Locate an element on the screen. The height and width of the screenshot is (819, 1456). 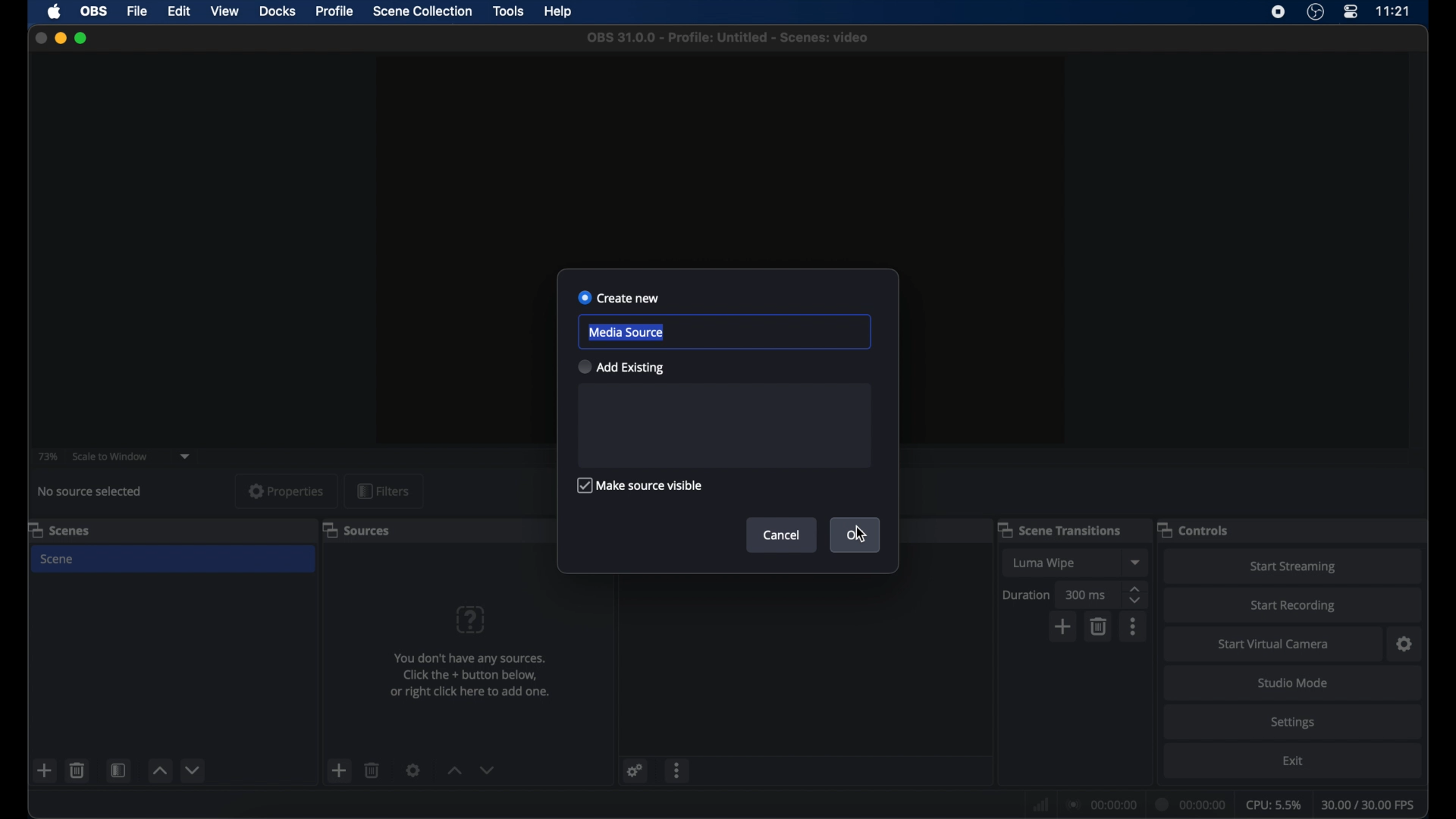
network is located at coordinates (1041, 803).